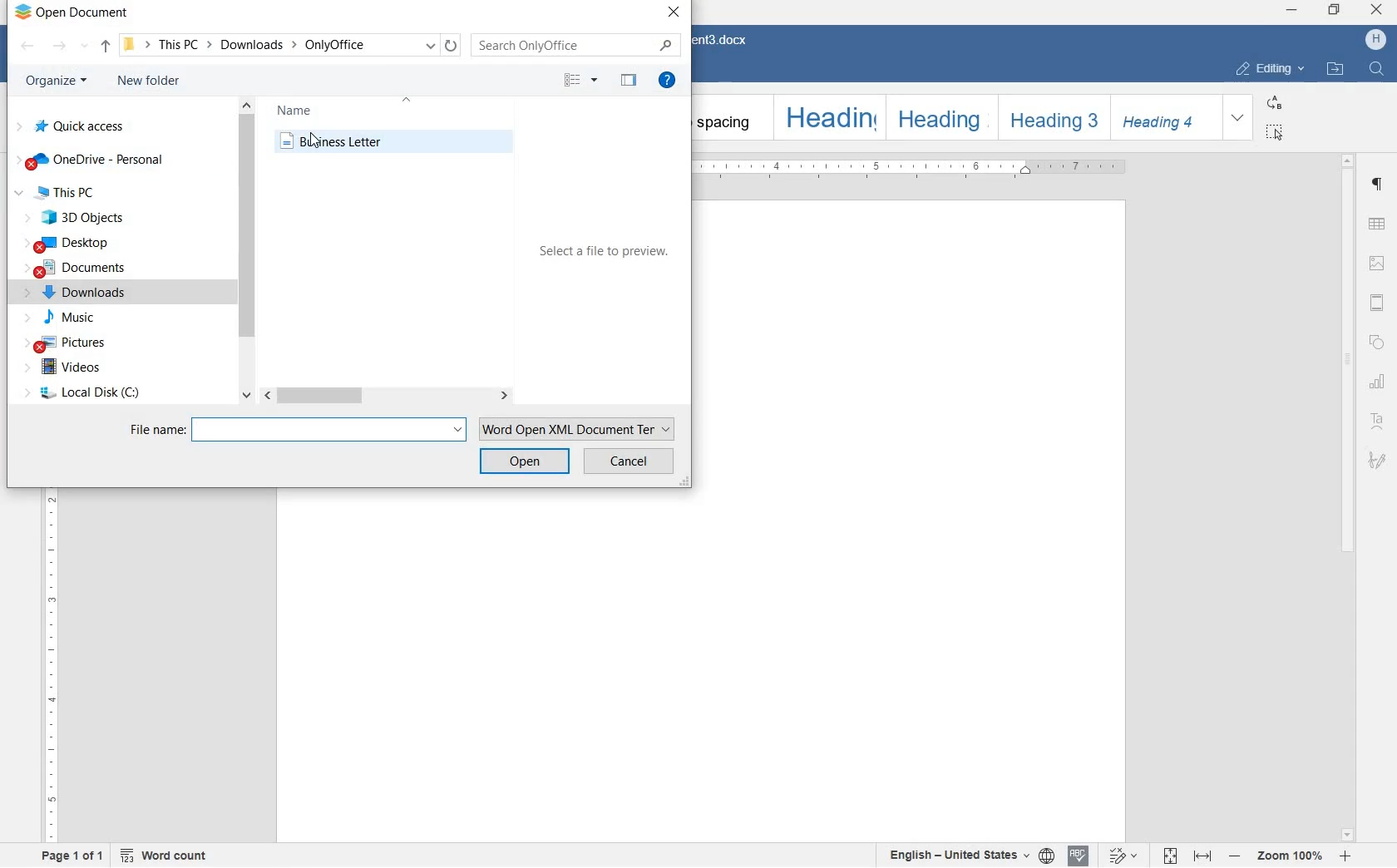 Image resolution: width=1397 pixels, height=868 pixels. What do you see at coordinates (1274, 132) in the screenshot?
I see `select all` at bounding box center [1274, 132].